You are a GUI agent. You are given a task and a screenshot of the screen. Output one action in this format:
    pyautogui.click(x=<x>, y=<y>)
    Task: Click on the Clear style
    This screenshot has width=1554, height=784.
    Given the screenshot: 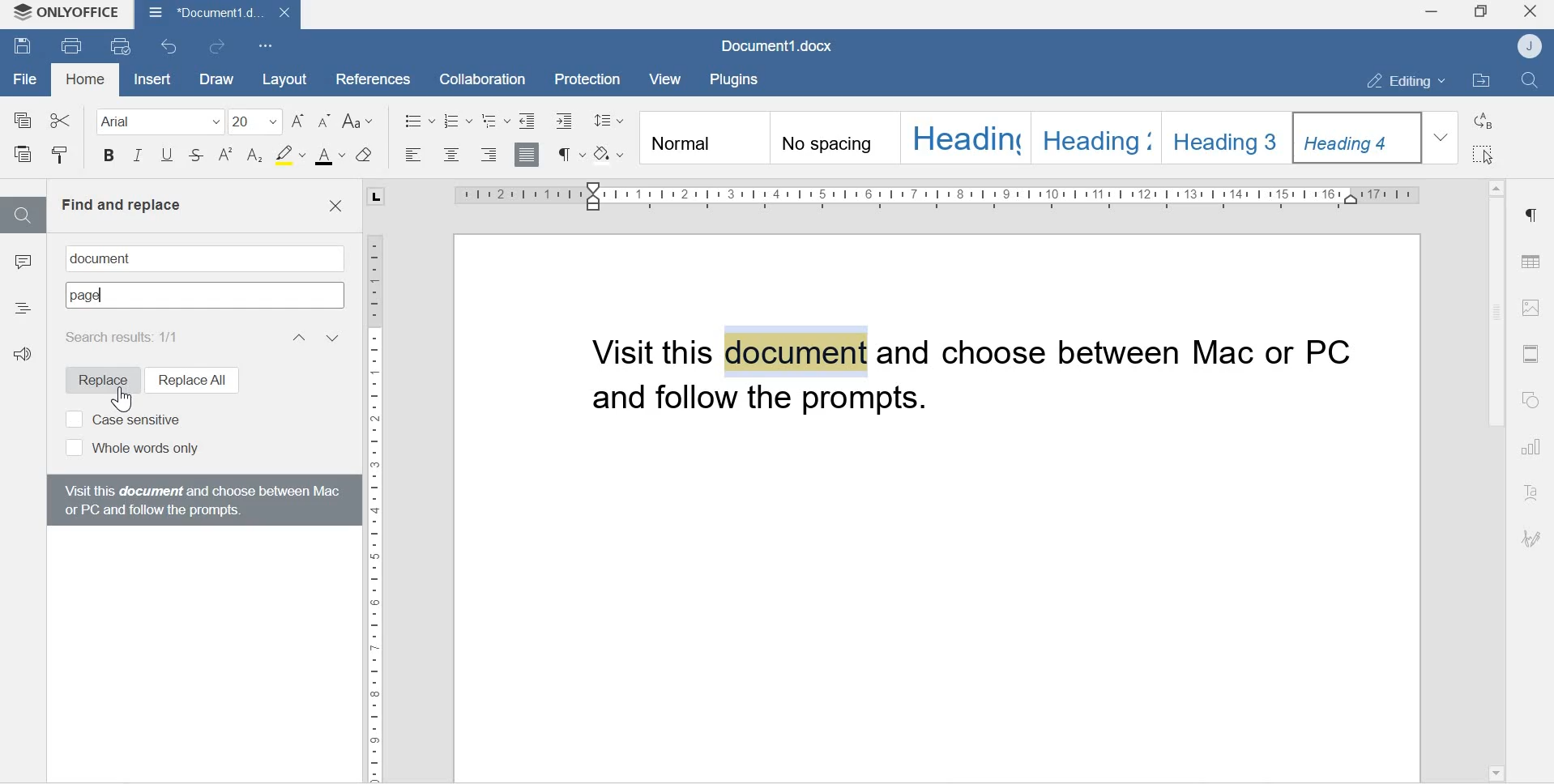 What is the action you would take?
    pyautogui.click(x=365, y=155)
    